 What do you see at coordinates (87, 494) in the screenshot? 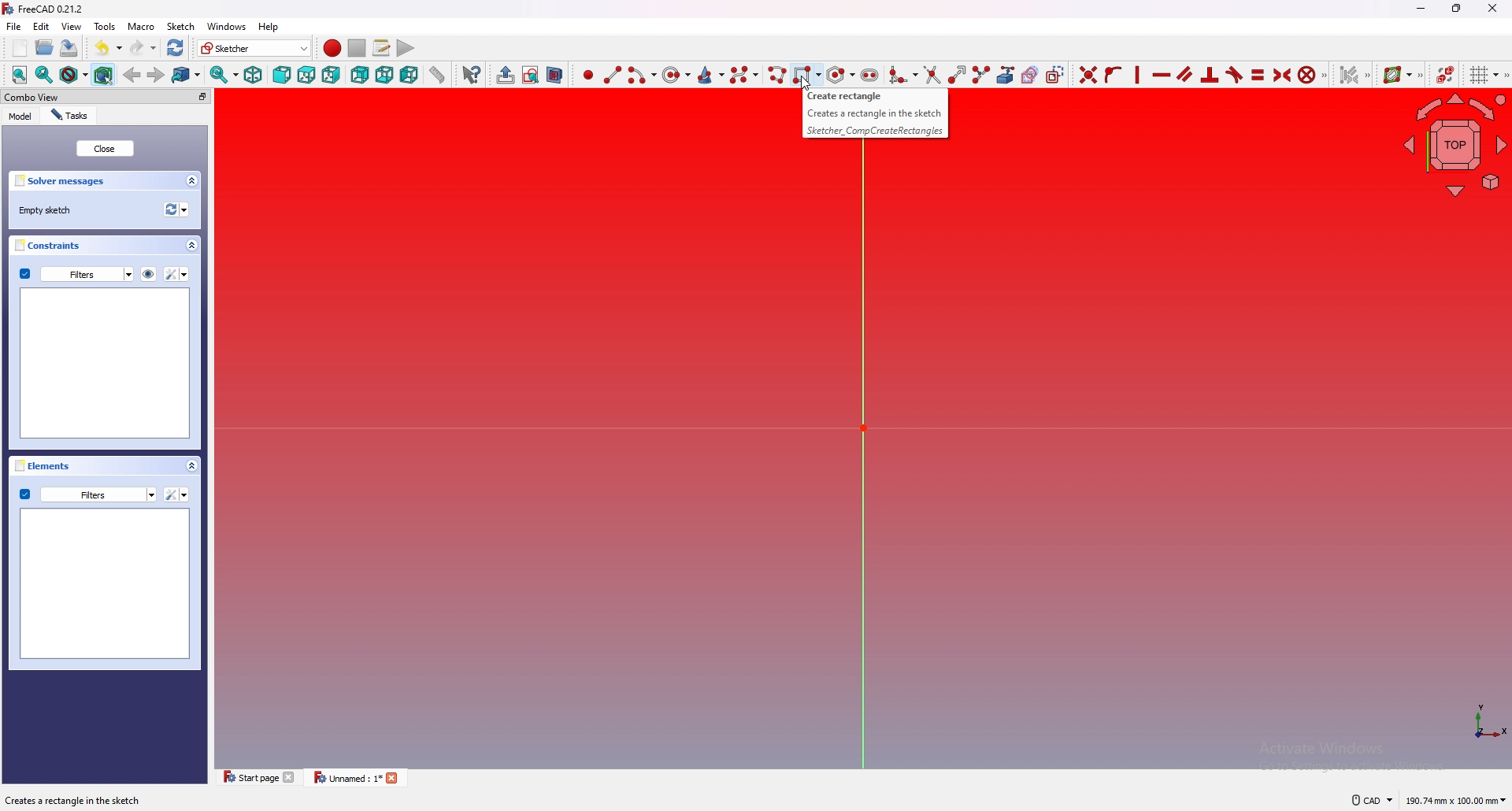
I see `filters` at bounding box center [87, 494].